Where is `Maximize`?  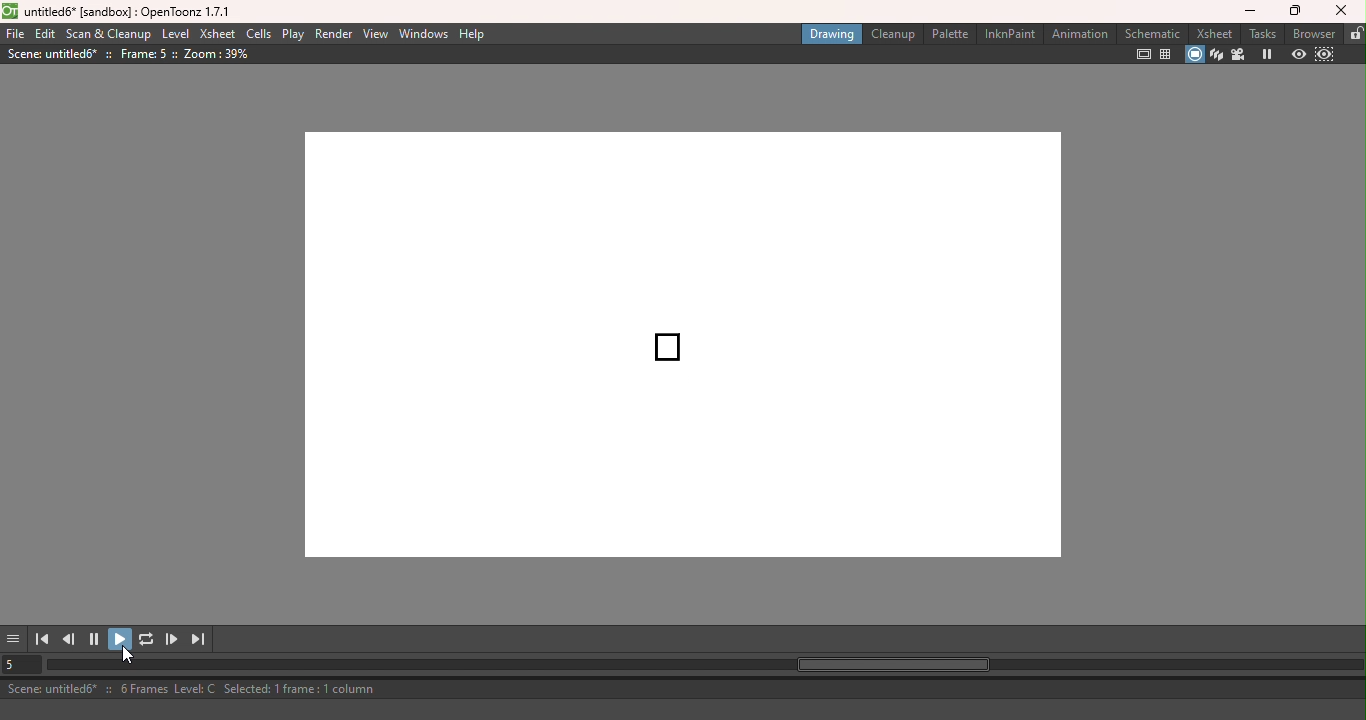
Maximize is located at coordinates (1289, 9).